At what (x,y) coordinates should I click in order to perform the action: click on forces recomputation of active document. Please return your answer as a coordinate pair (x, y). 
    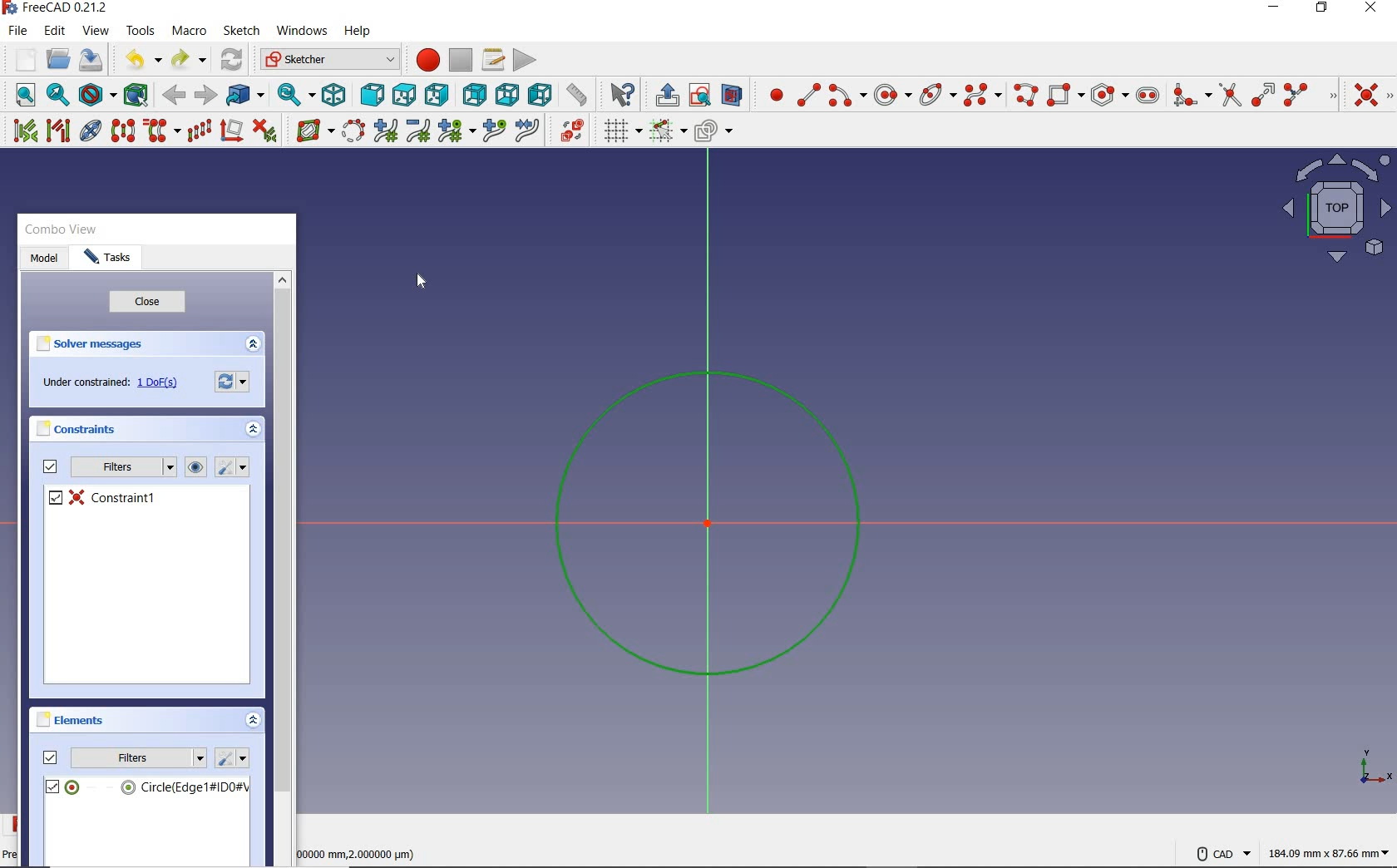
    Looking at the image, I should click on (236, 382).